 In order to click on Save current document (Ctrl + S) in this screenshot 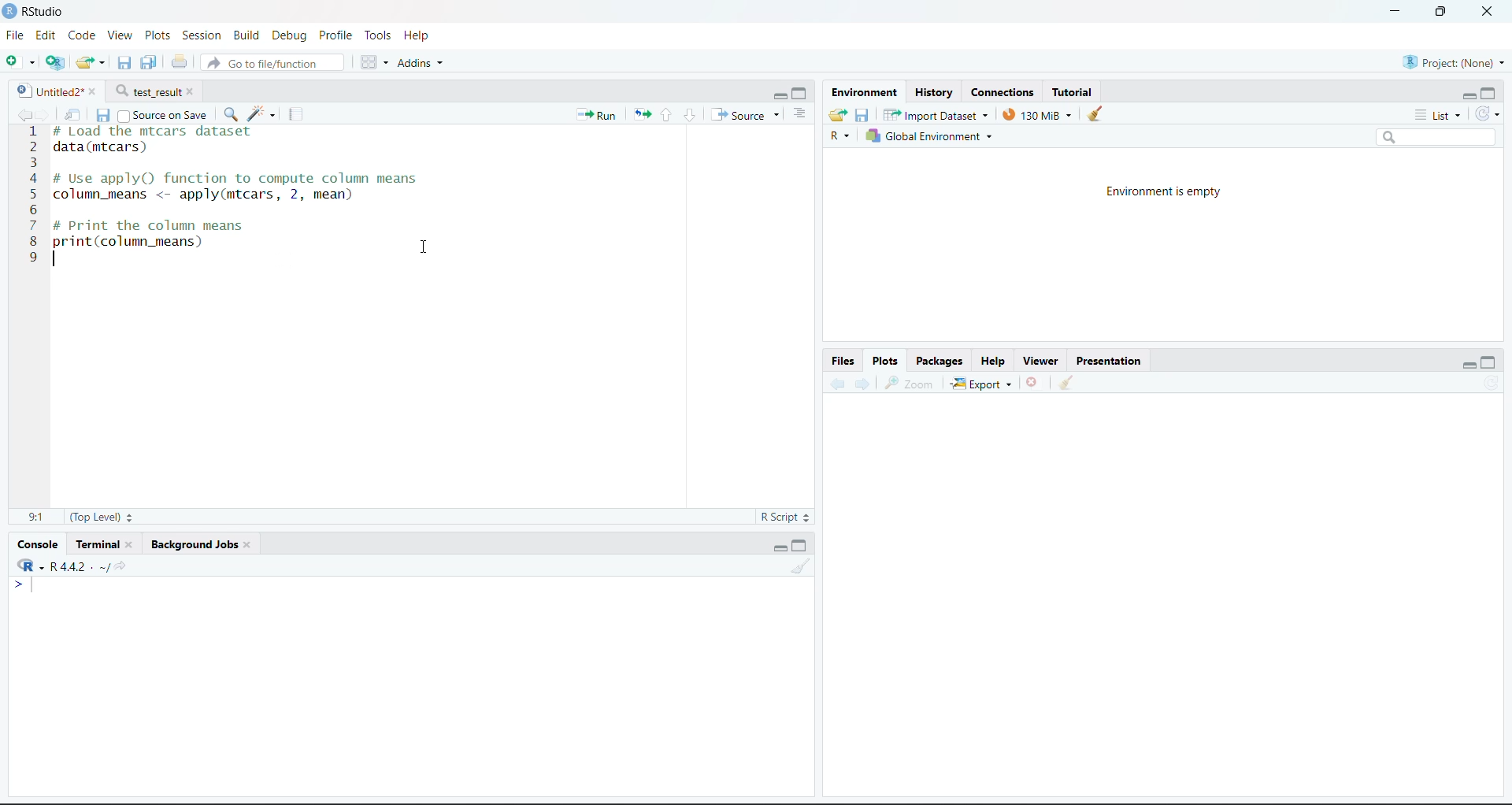, I will do `click(126, 61)`.